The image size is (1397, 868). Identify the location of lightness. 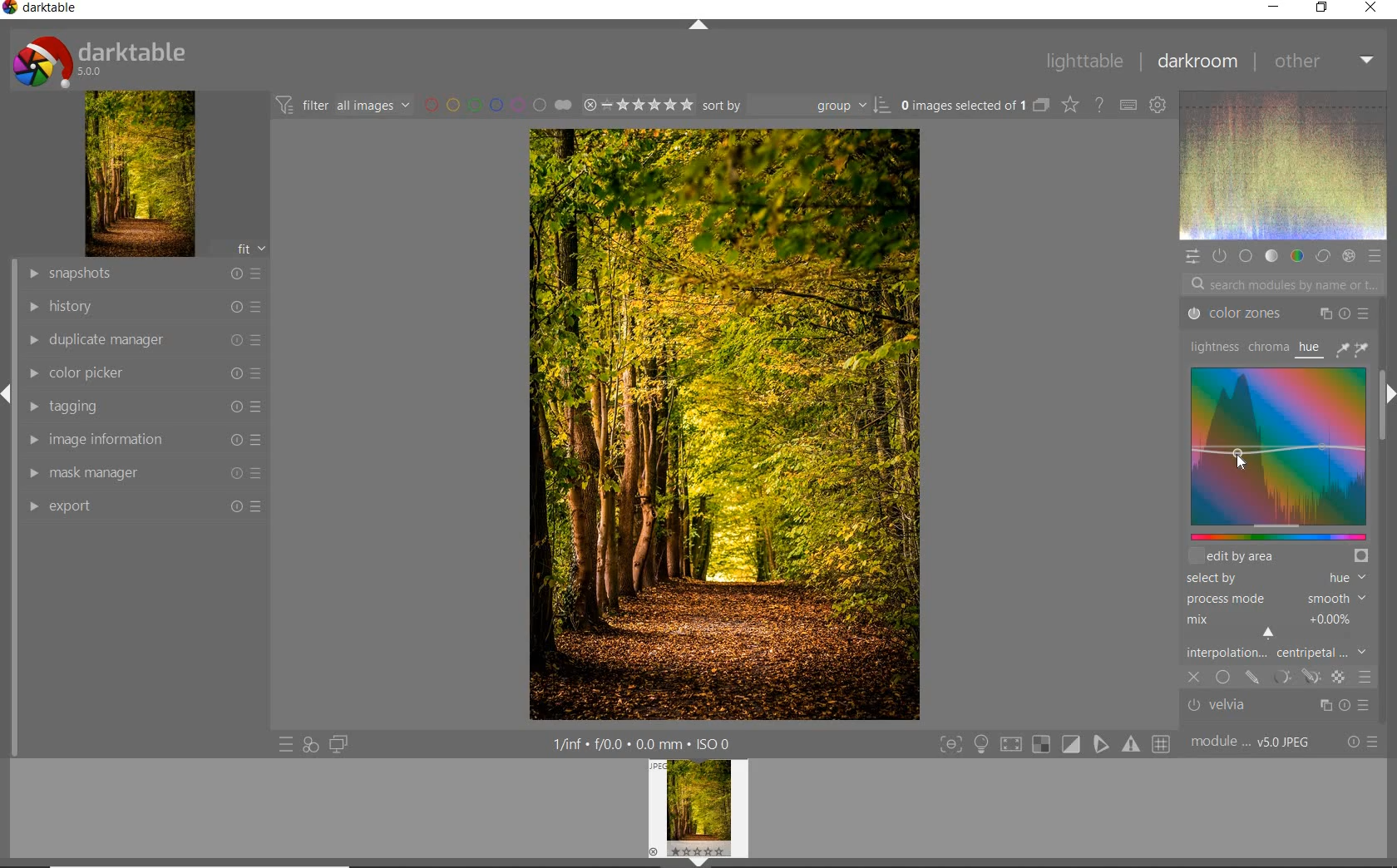
(1212, 348).